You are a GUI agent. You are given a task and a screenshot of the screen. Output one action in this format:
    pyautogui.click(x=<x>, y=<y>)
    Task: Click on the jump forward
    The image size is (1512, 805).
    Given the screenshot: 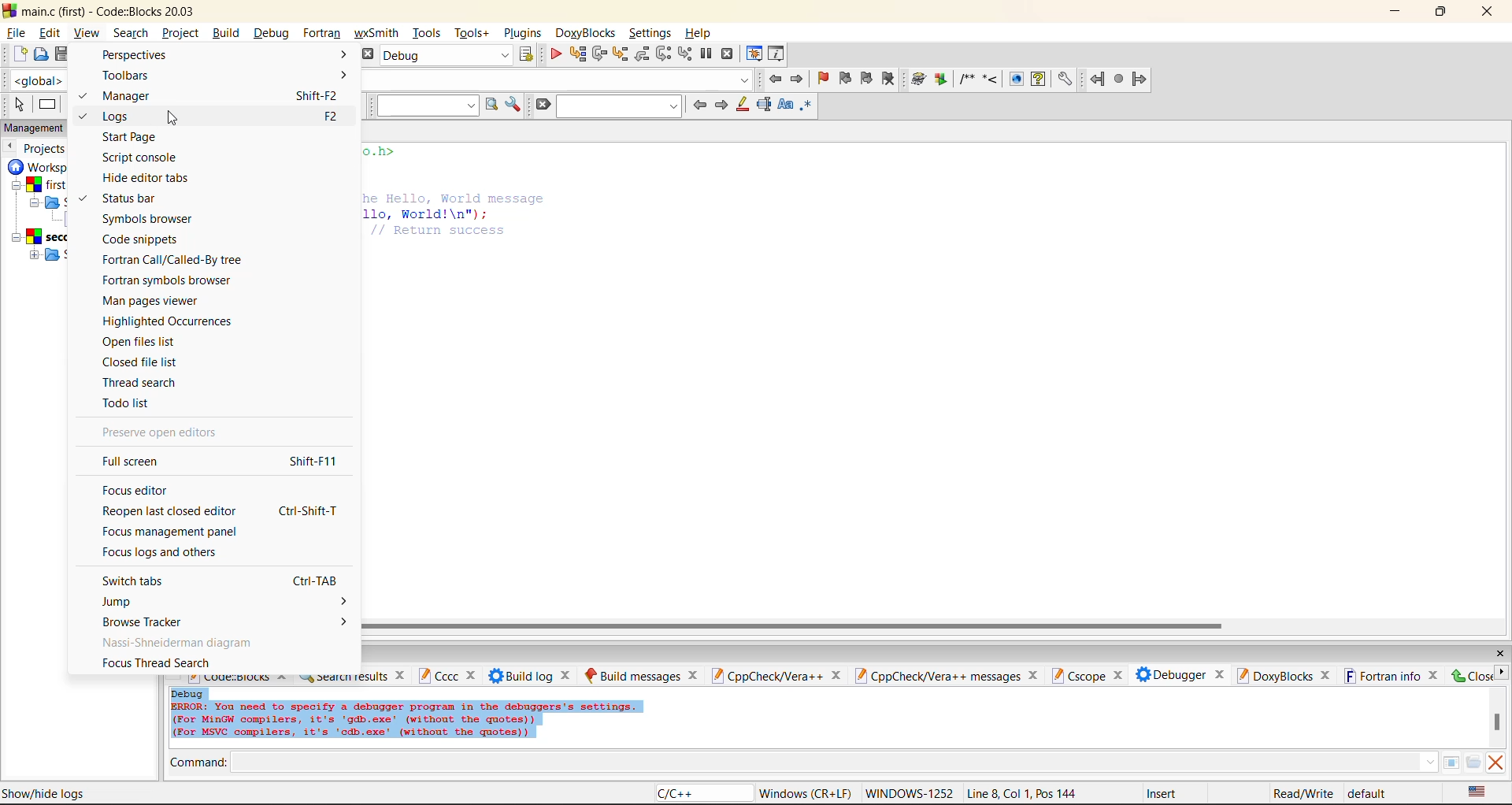 What is the action you would take?
    pyautogui.click(x=1141, y=80)
    